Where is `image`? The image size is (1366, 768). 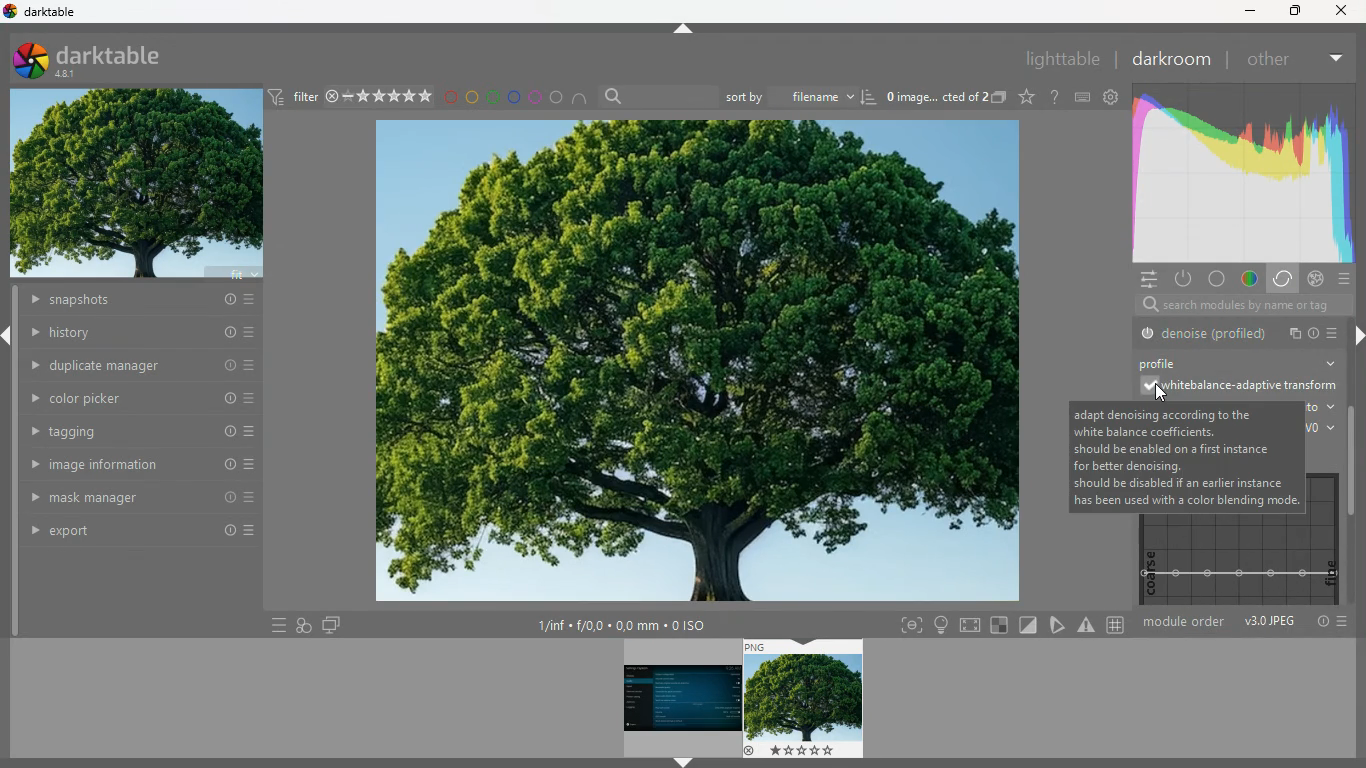 image is located at coordinates (699, 364).